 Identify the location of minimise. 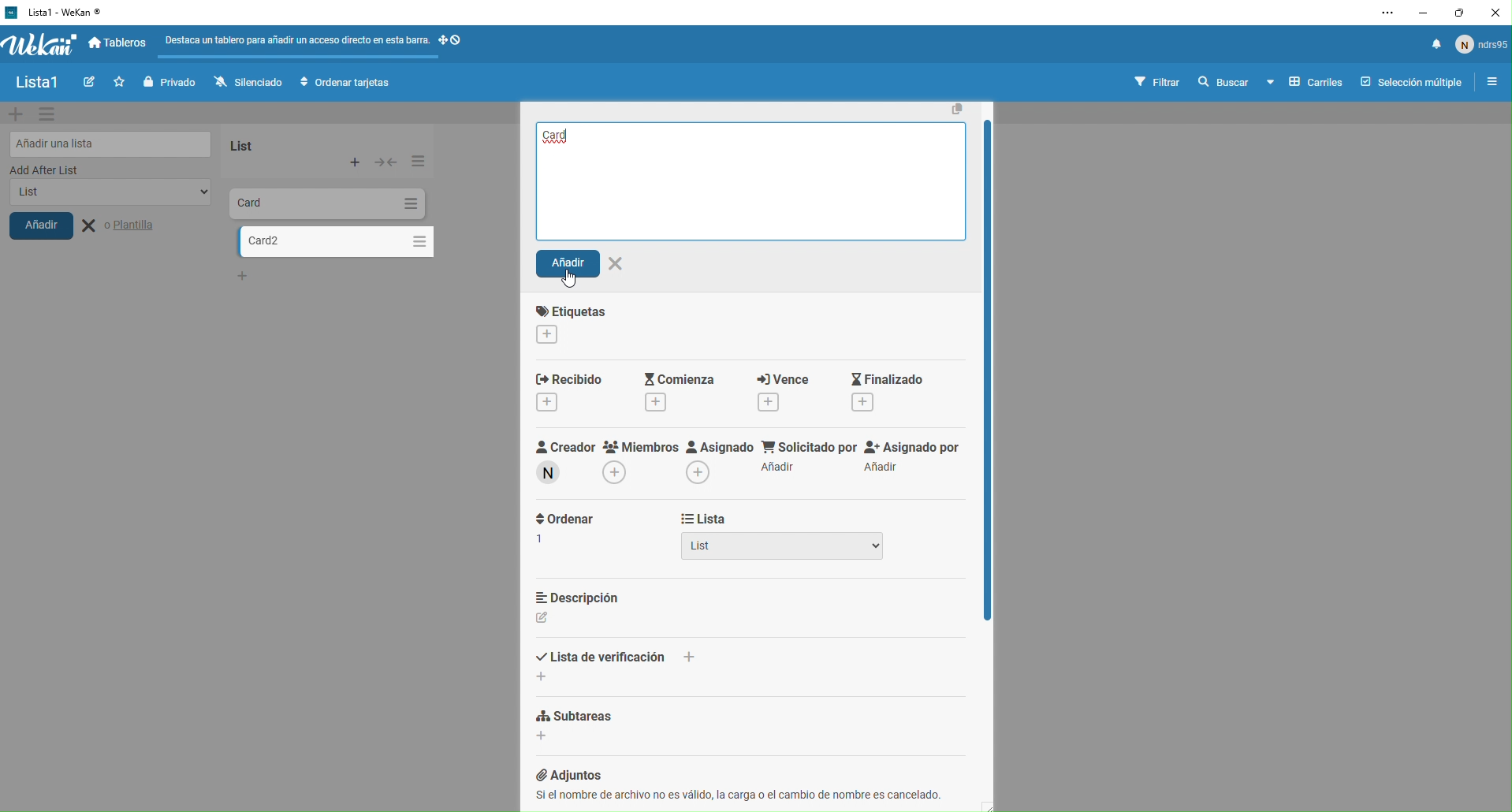
(1421, 12).